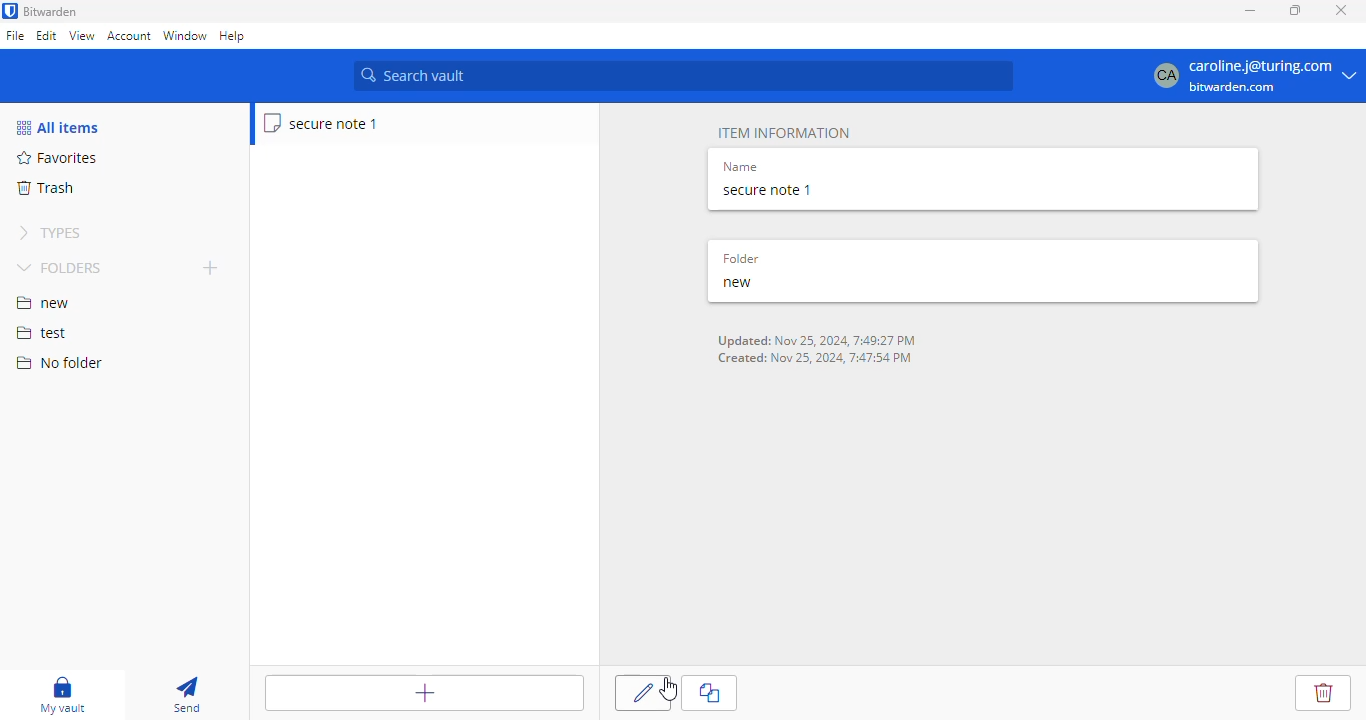  I want to click on profile, so click(1254, 76).